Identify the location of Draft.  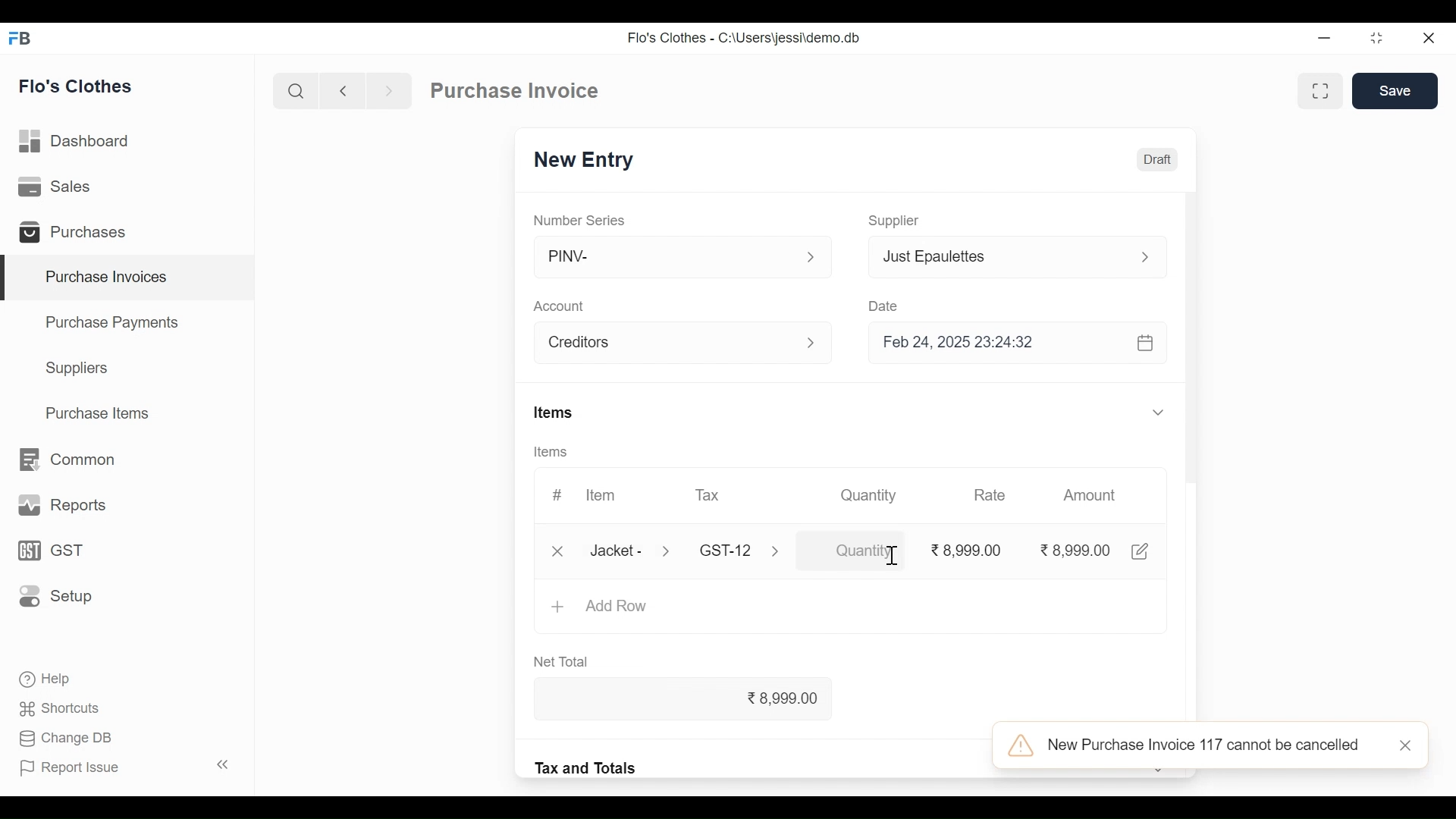
(1157, 158).